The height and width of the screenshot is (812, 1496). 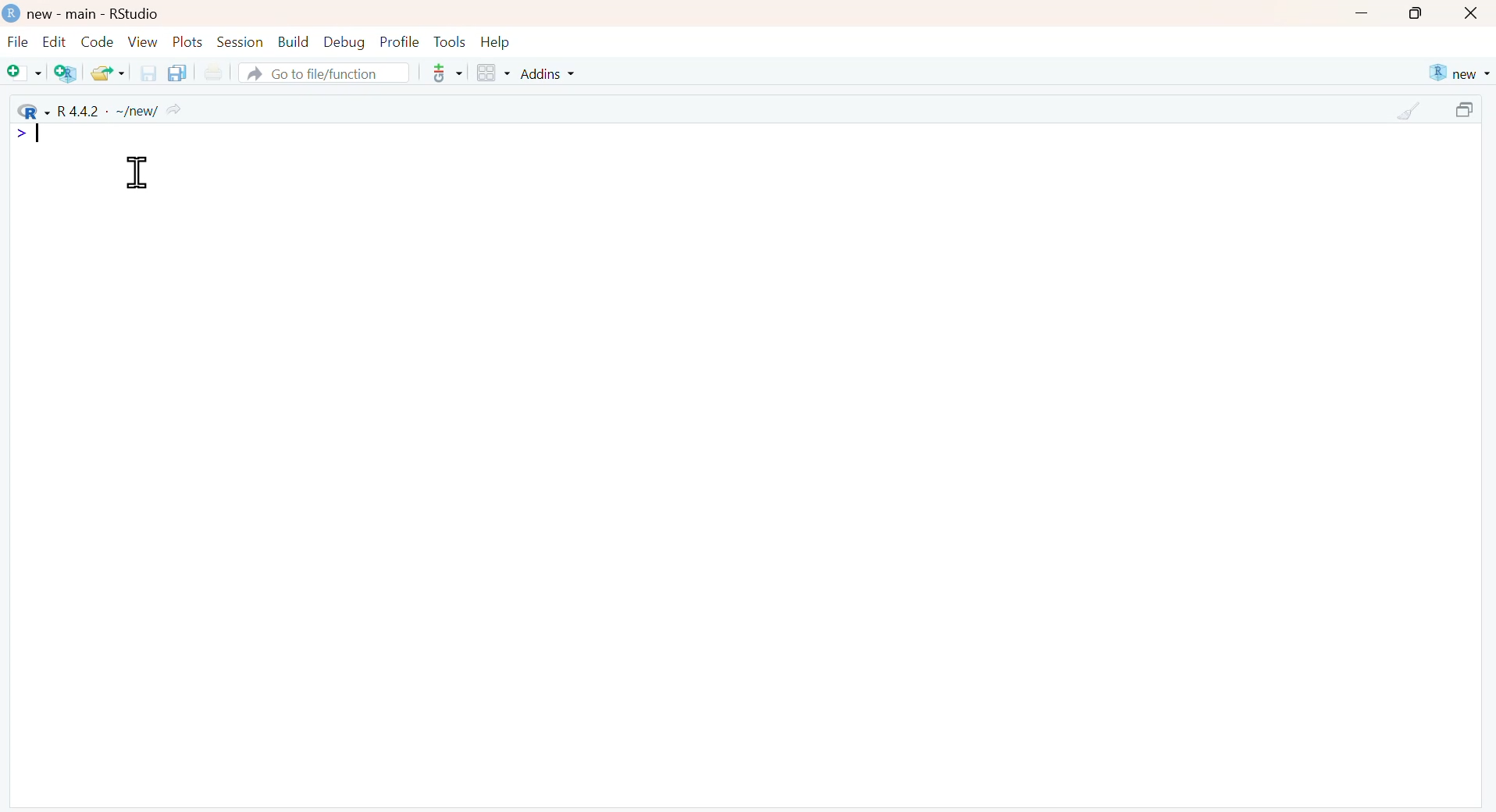 I want to click on cursor, so click(x=137, y=172).